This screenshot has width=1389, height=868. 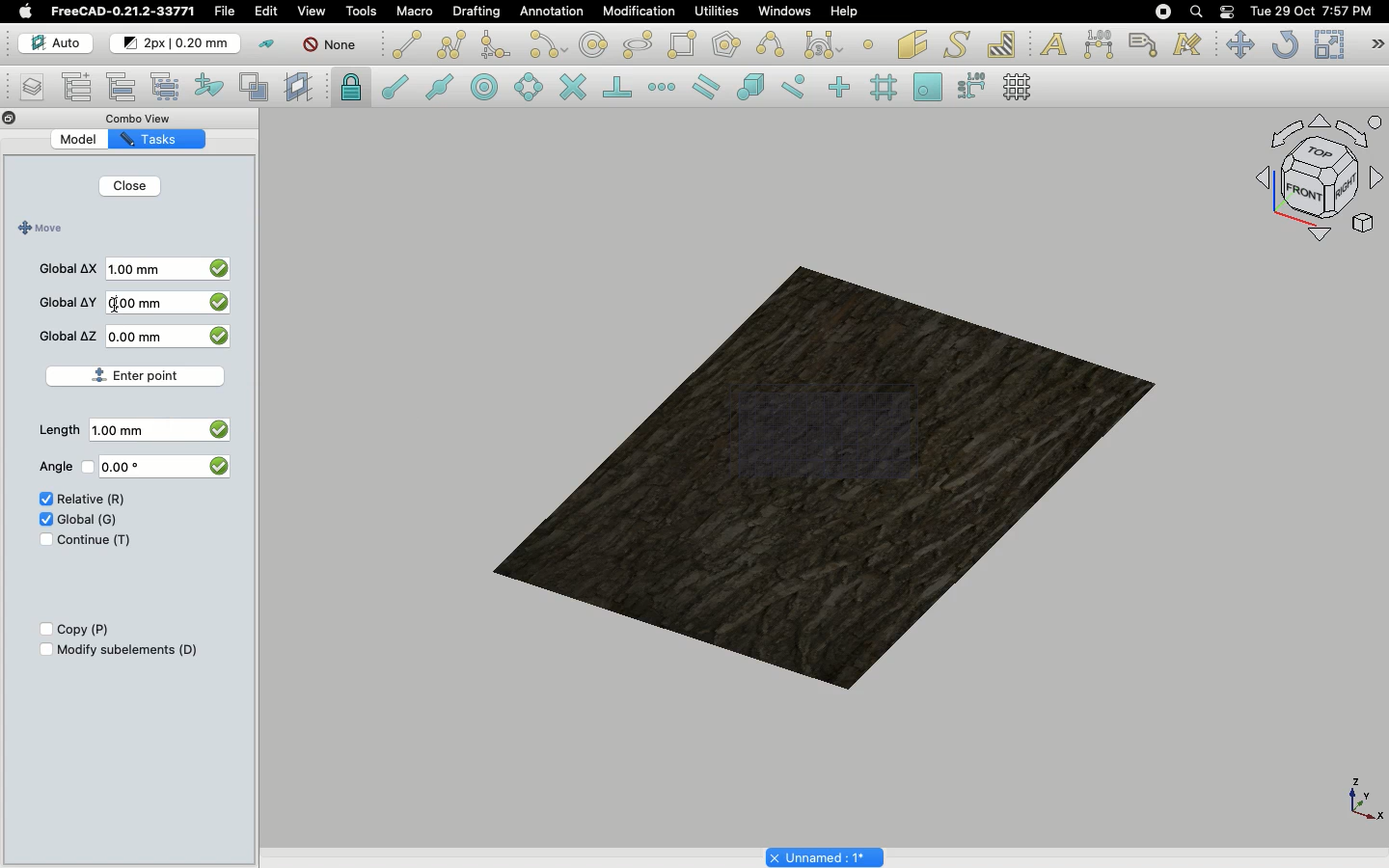 What do you see at coordinates (270, 13) in the screenshot?
I see `Selecting edit` at bounding box center [270, 13].